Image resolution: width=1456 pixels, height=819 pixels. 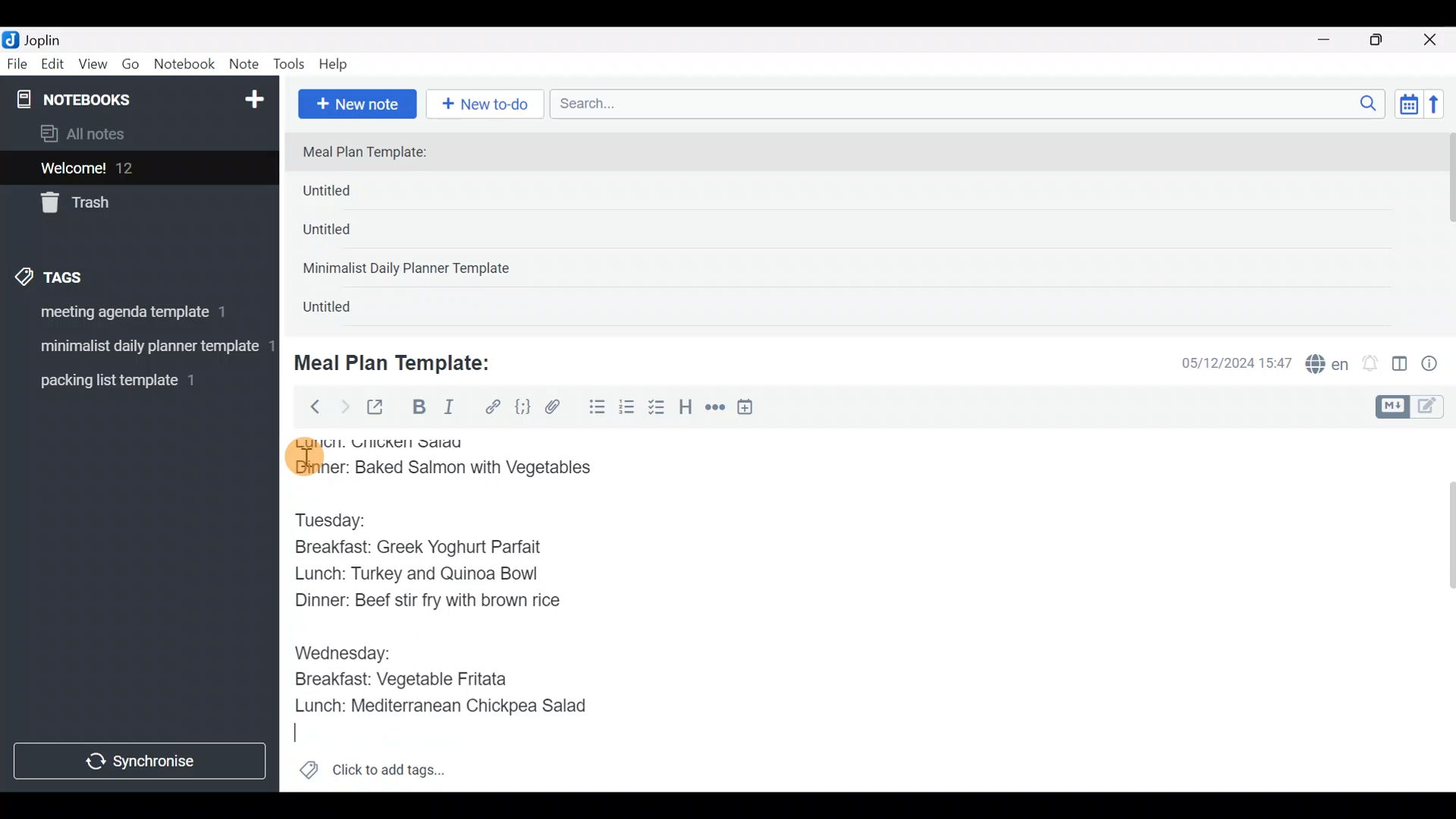 What do you see at coordinates (413, 679) in the screenshot?
I see `Breakfast: Vegetable Fritata` at bounding box center [413, 679].